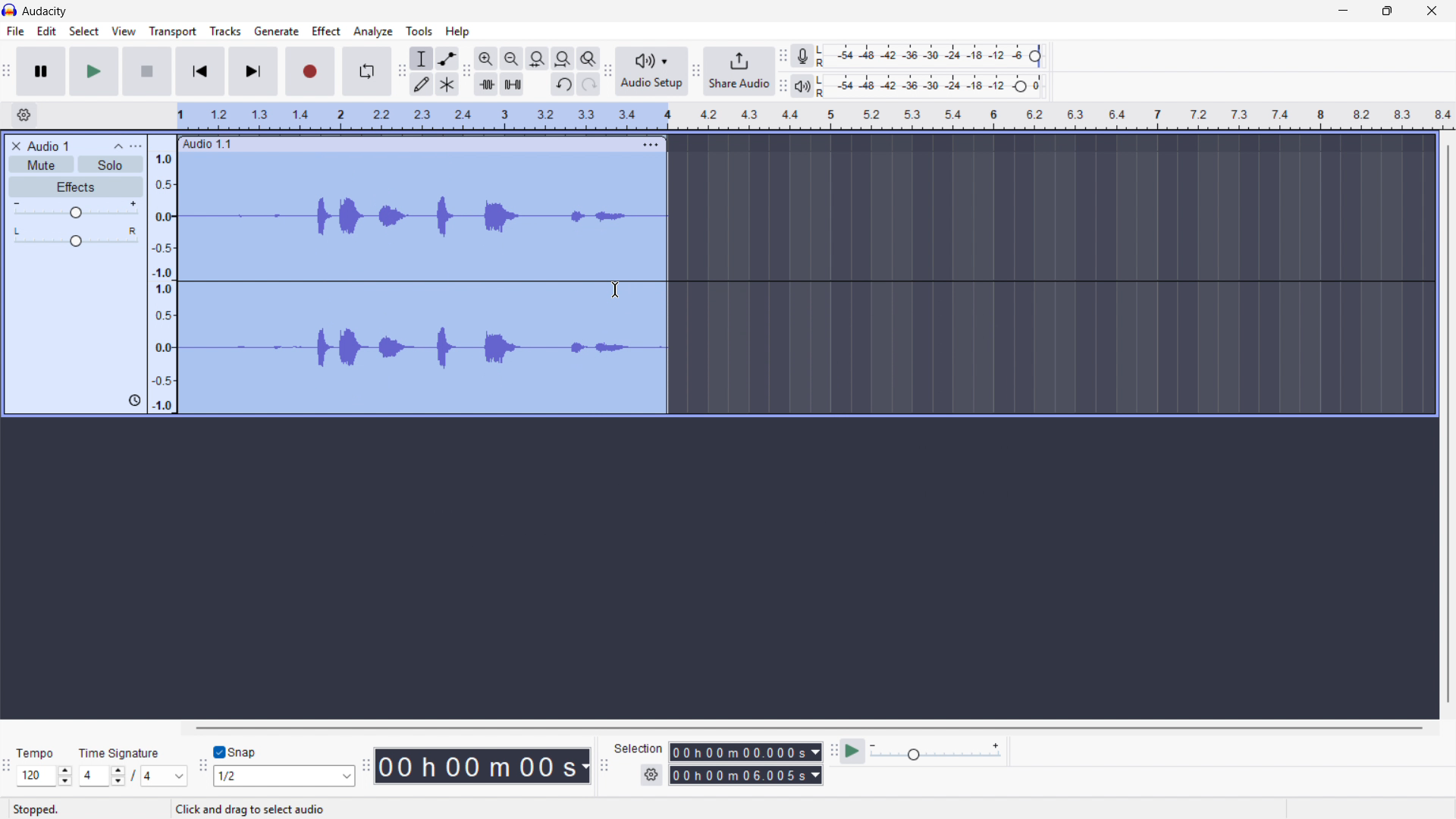 The image size is (1456, 819). I want to click on Timestamp, so click(483, 766).